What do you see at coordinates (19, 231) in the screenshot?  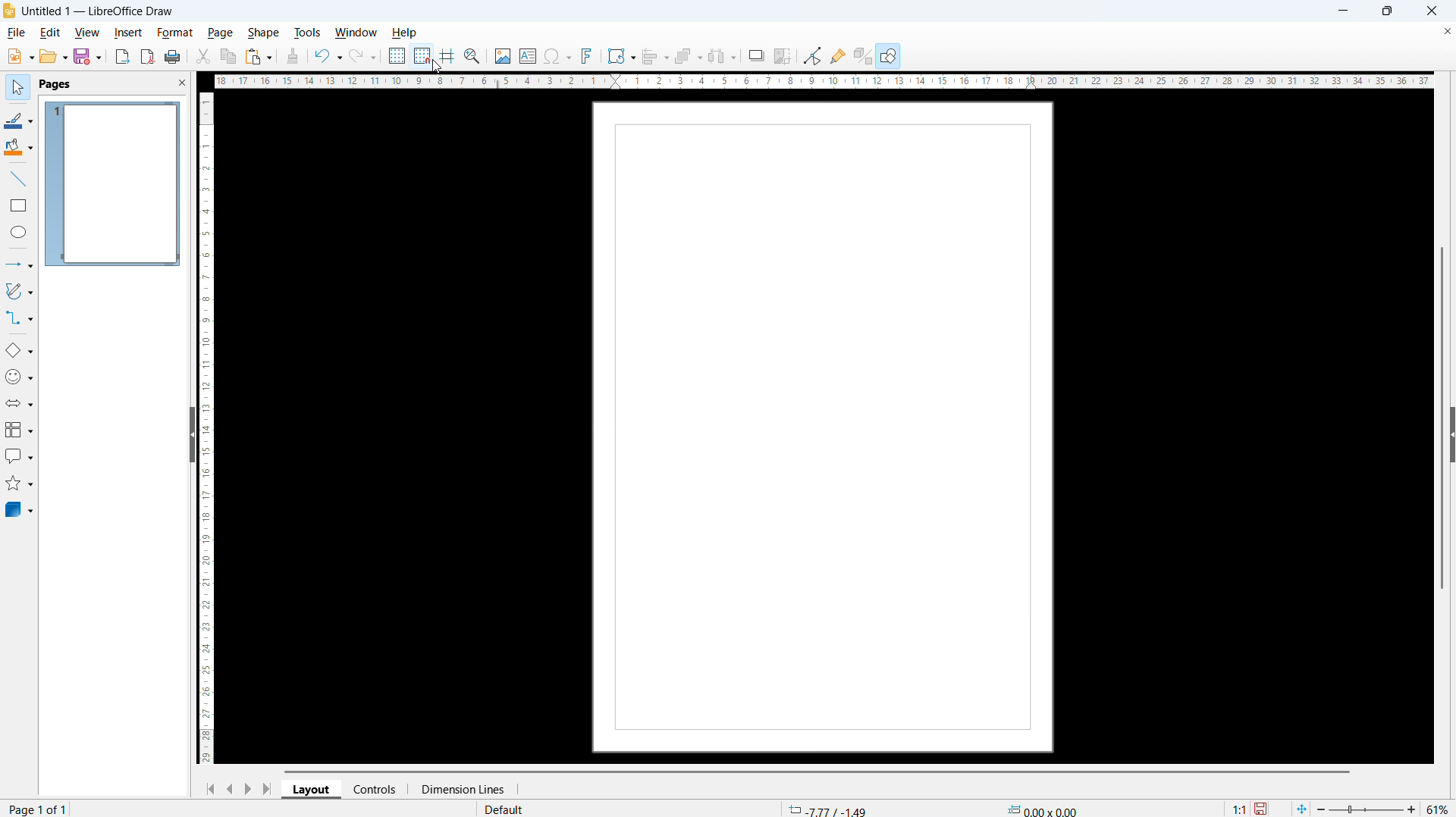 I see `ellipse` at bounding box center [19, 231].